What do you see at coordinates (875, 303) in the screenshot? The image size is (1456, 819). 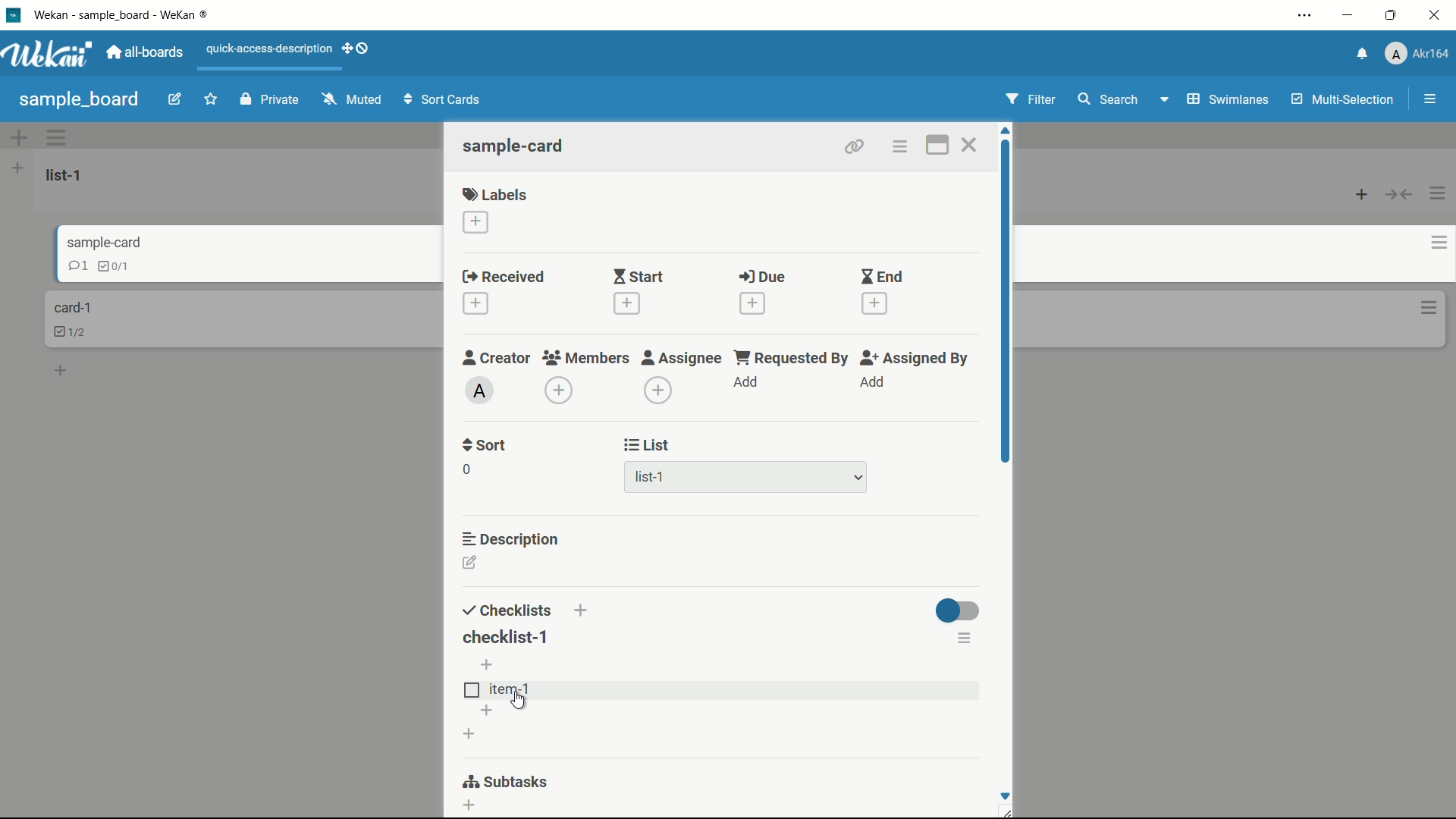 I see `add date` at bounding box center [875, 303].